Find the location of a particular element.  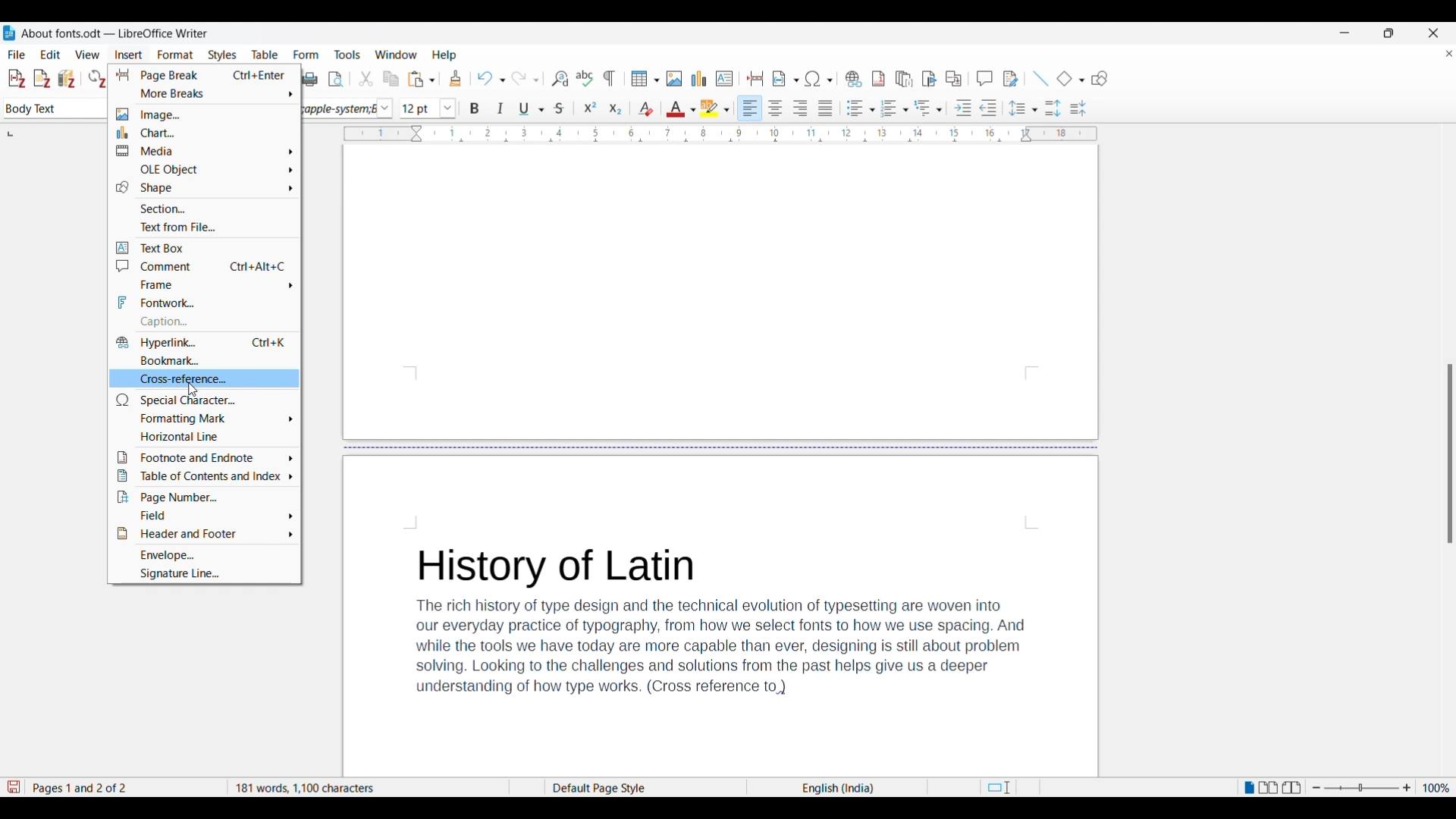

Horizontal ruler is located at coordinates (721, 134).